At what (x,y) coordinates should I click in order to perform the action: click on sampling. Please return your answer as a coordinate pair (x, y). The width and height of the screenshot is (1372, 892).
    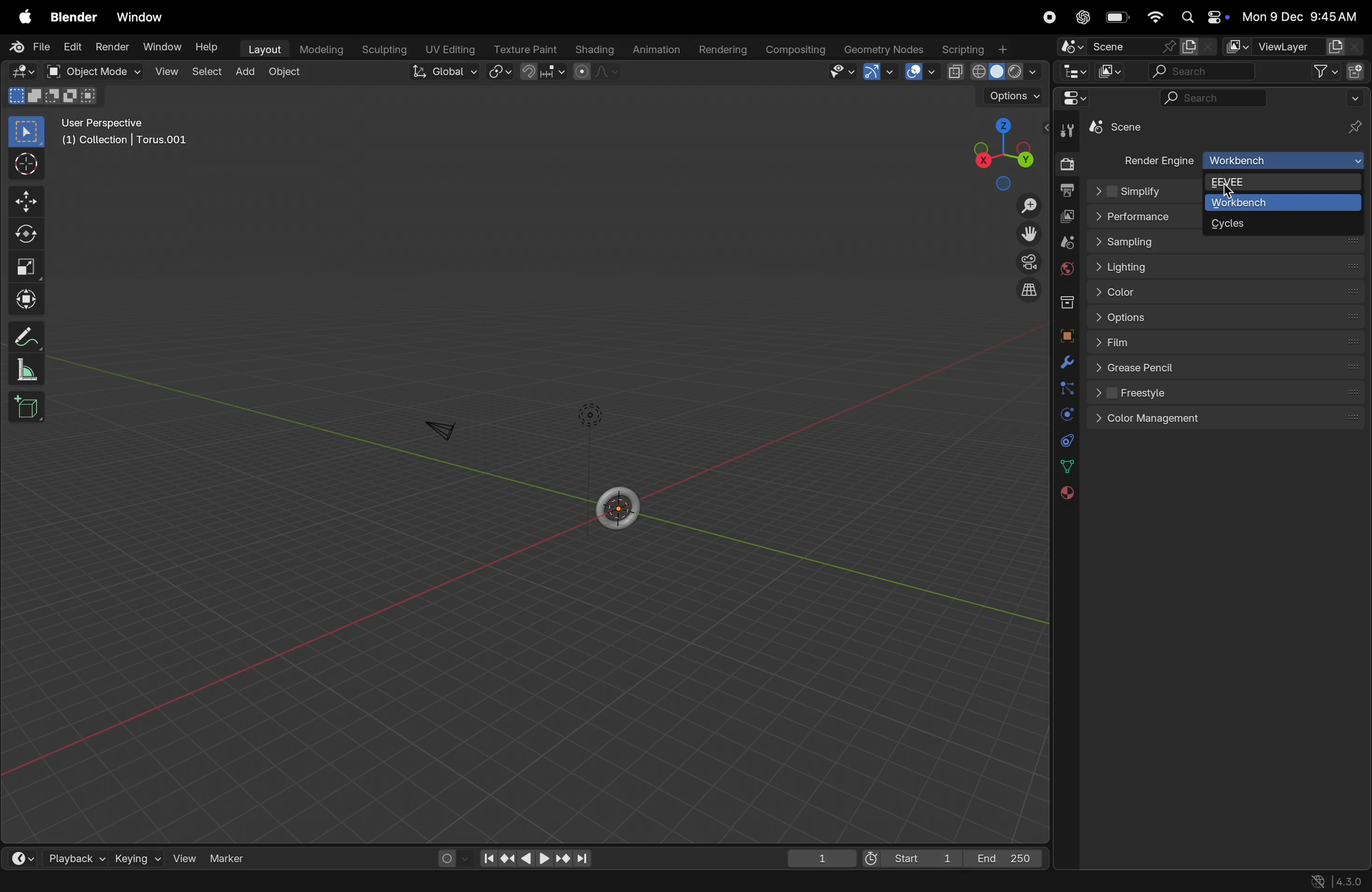
    Looking at the image, I should click on (1143, 241).